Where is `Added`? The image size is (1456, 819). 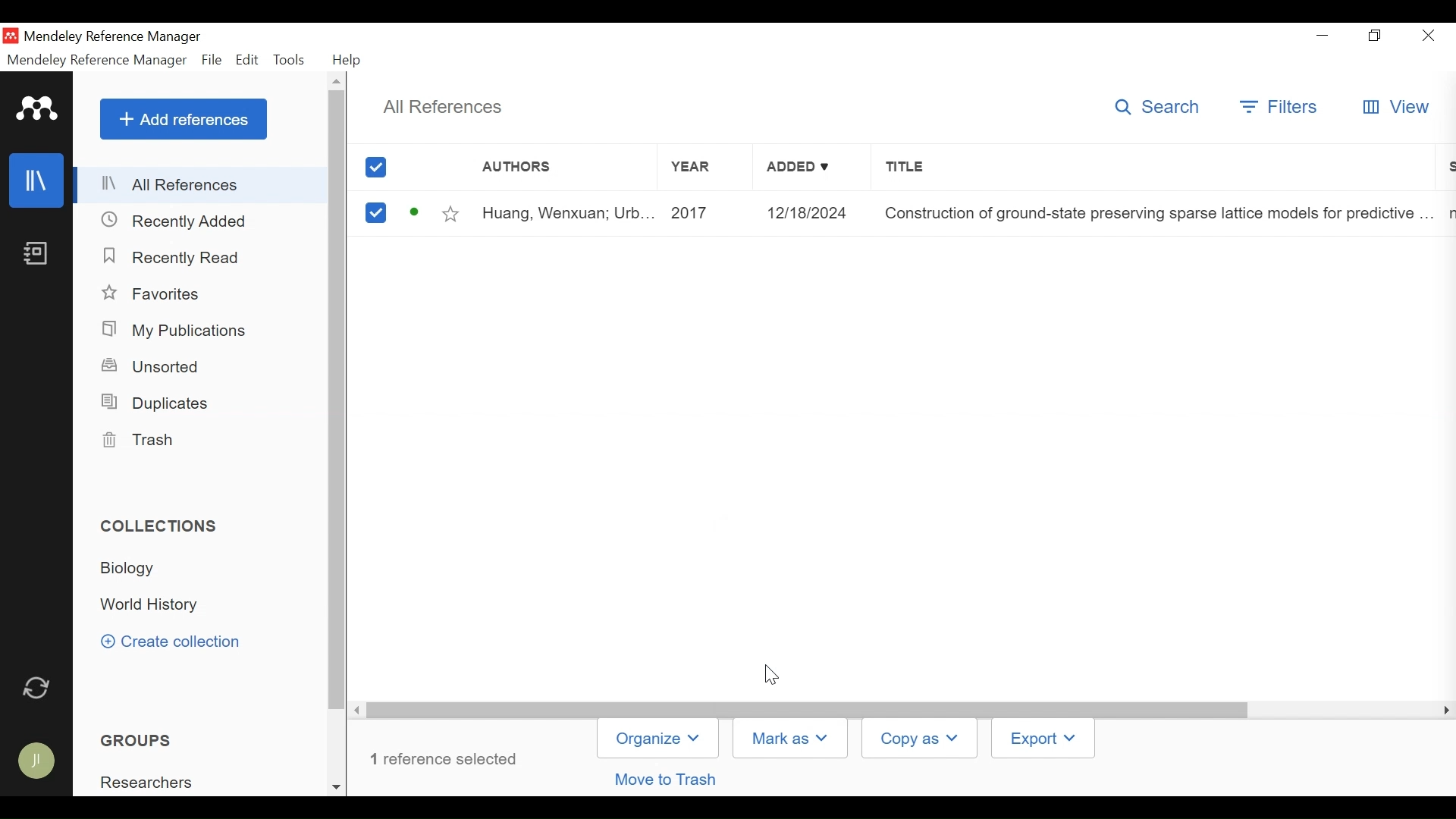
Added is located at coordinates (814, 170).